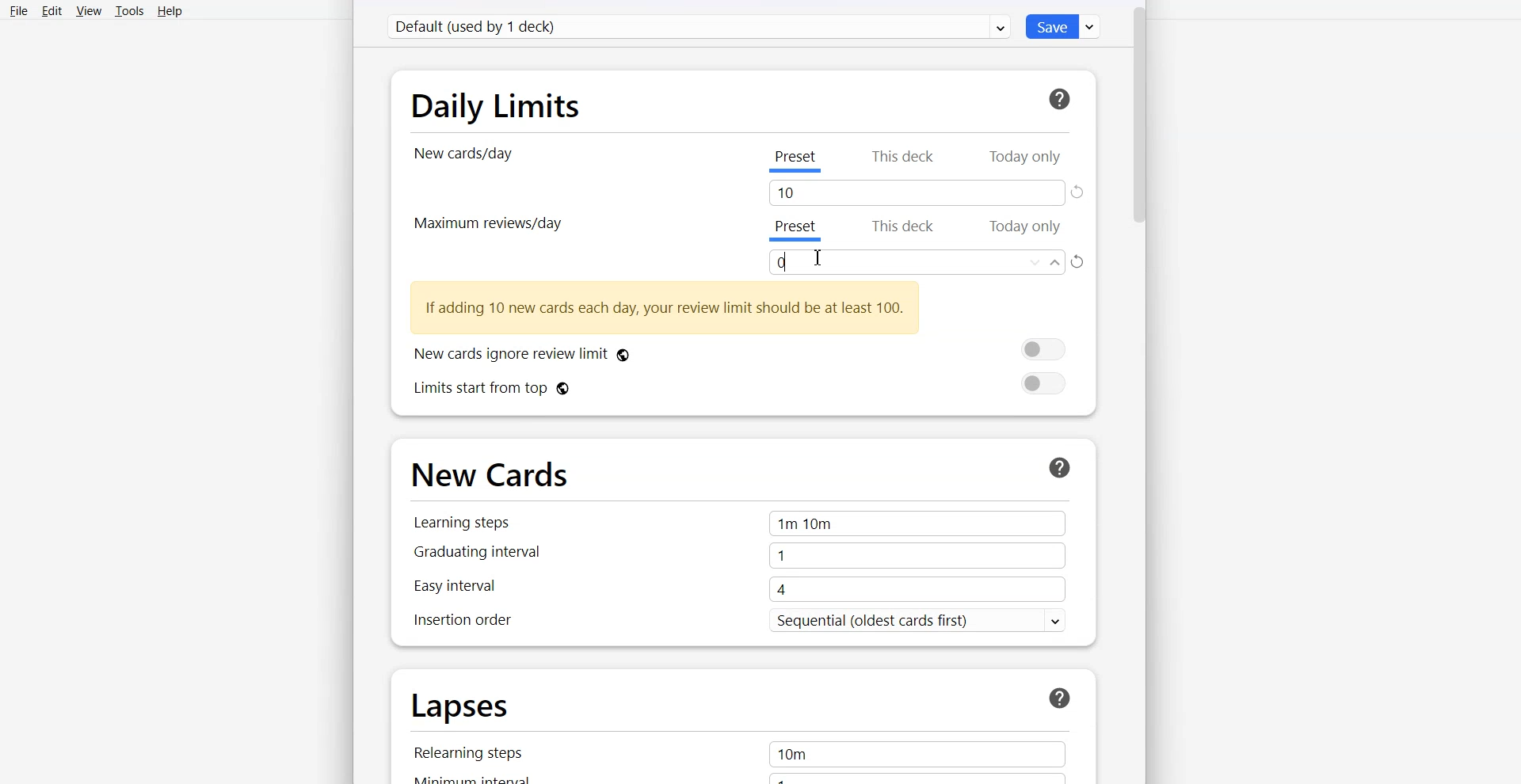 This screenshot has height=784, width=1521. I want to click on Daily Limits, so click(499, 105).